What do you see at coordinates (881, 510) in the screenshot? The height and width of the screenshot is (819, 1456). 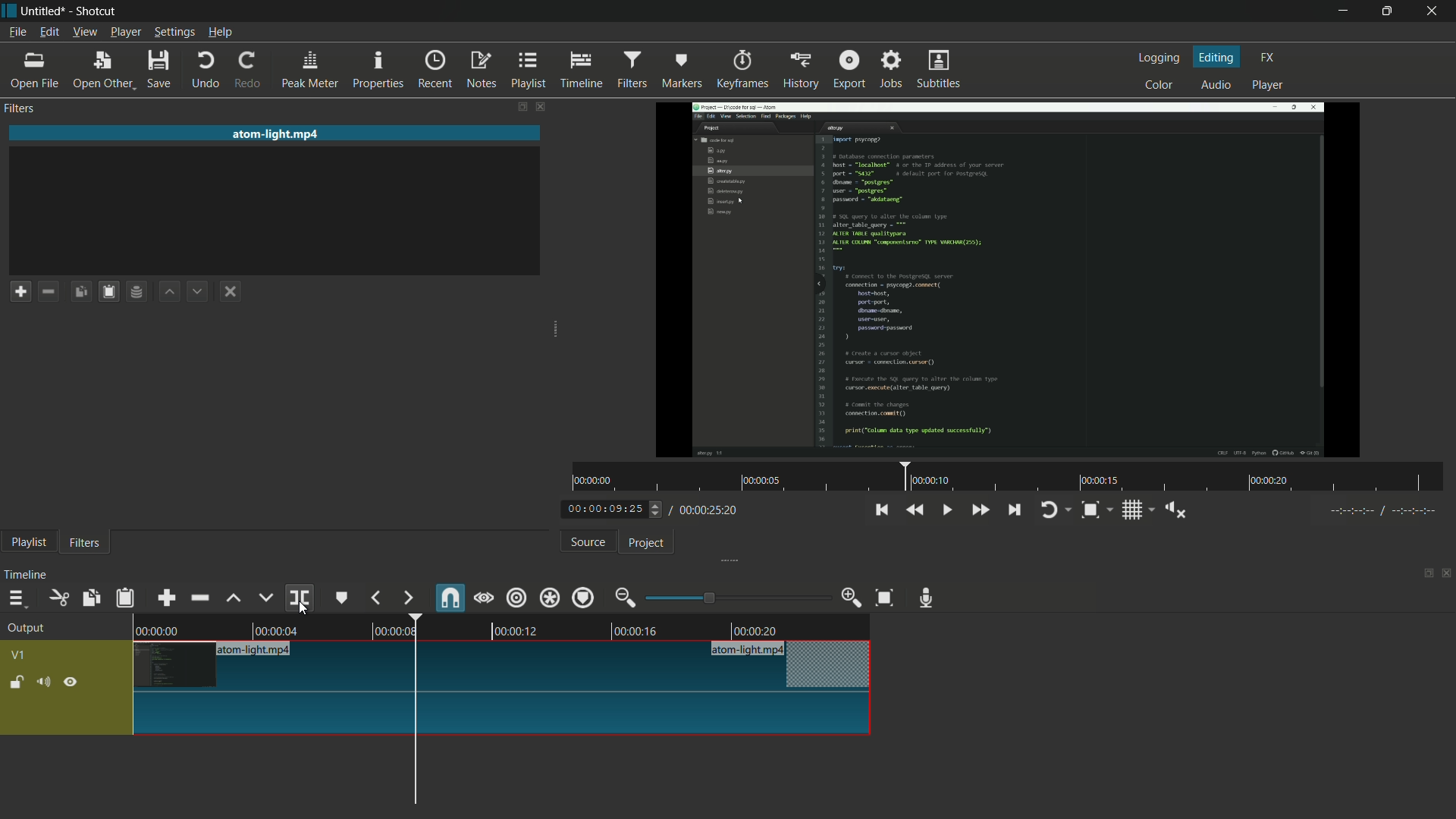 I see `skip to the previous point` at bounding box center [881, 510].